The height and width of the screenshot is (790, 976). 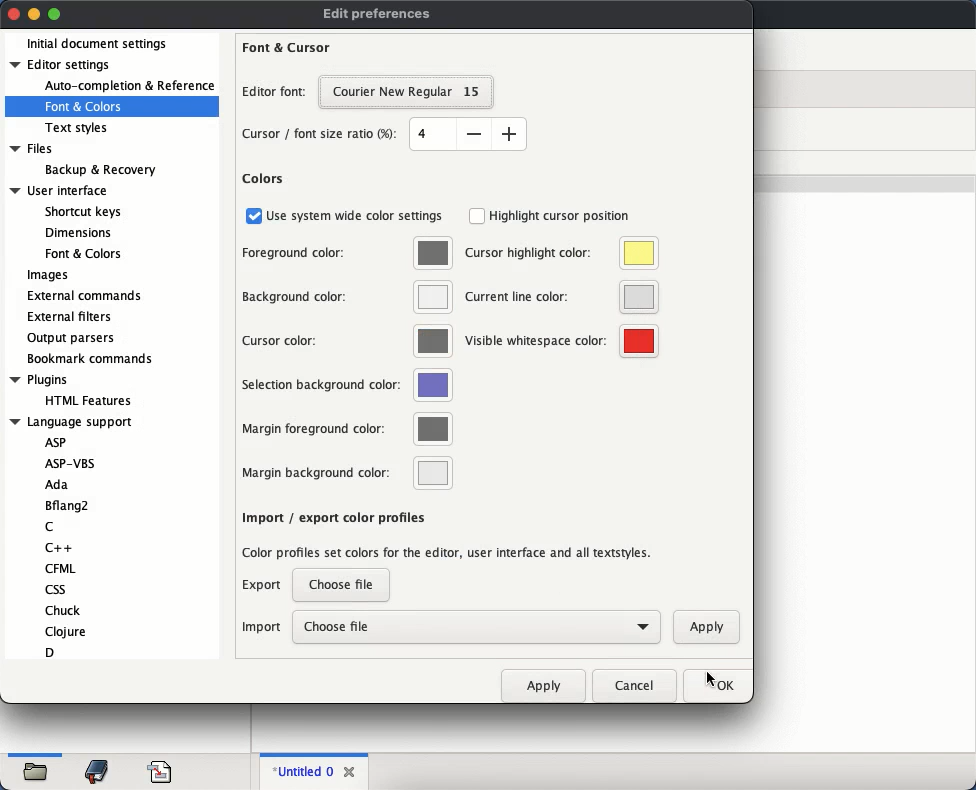 What do you see at coordinates (347, 296) in the screenshot?
I see `background color` at bounding box center [347, 296].